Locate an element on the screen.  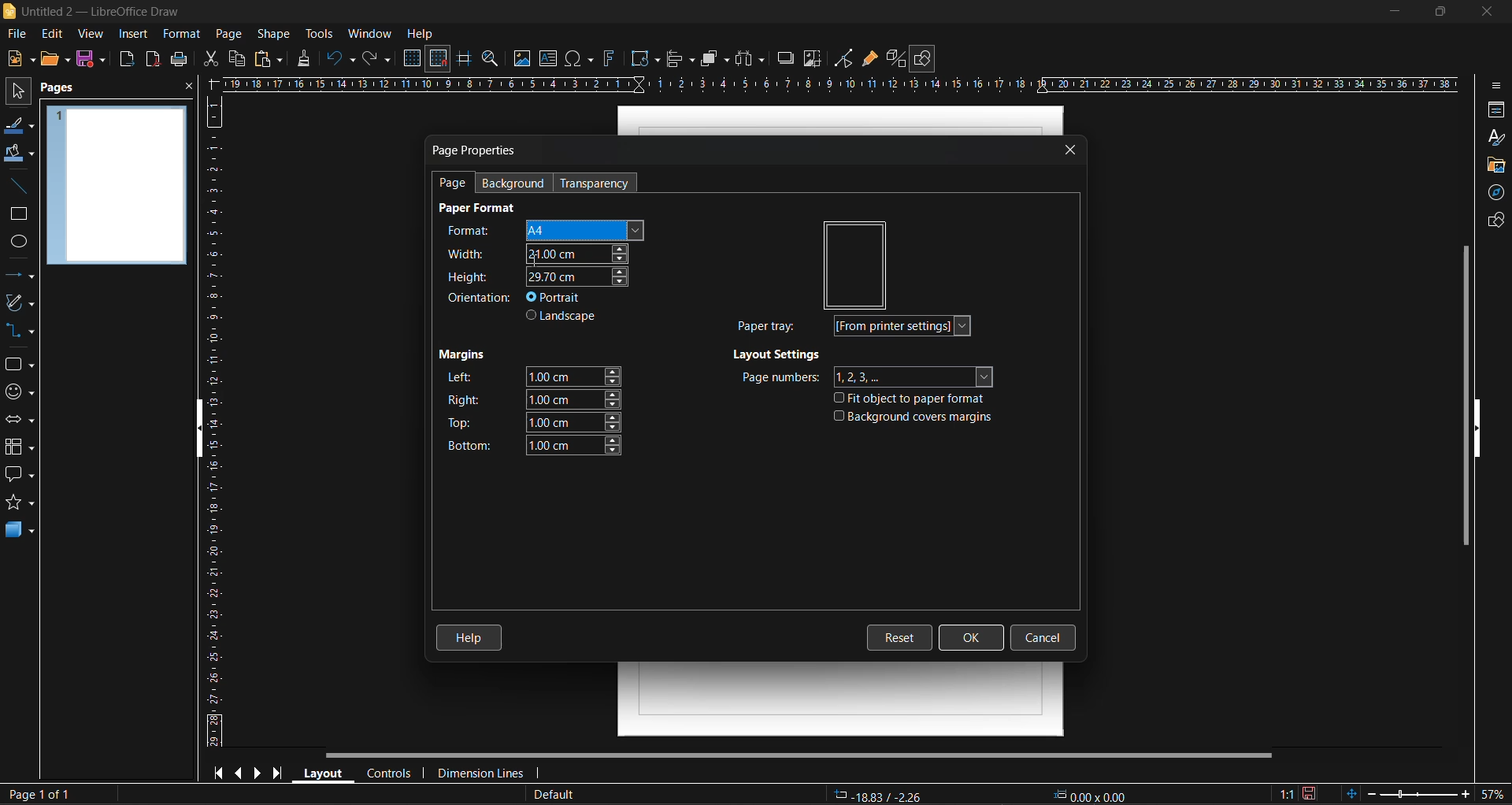
shape is located at coordinates (273, 33).